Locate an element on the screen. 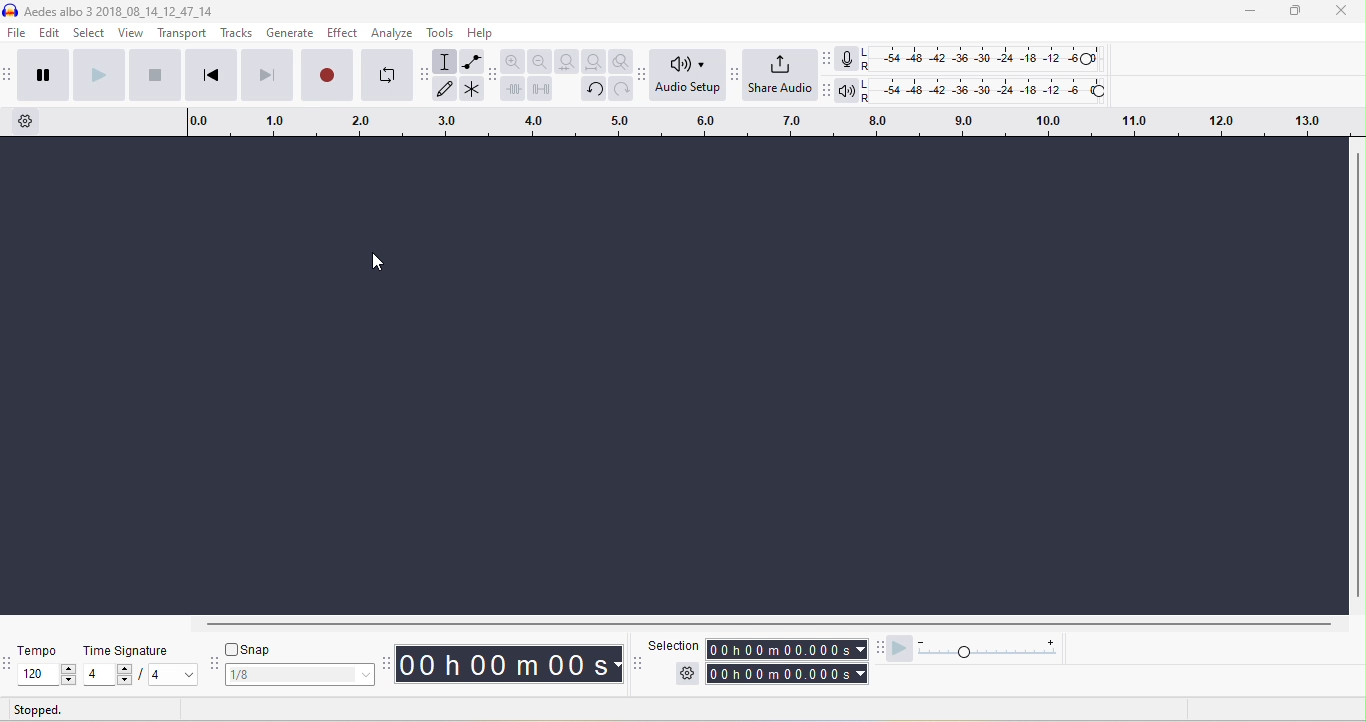 The image size is (1366, 722). audacity time tool bar is located at coordinates (389, 662).